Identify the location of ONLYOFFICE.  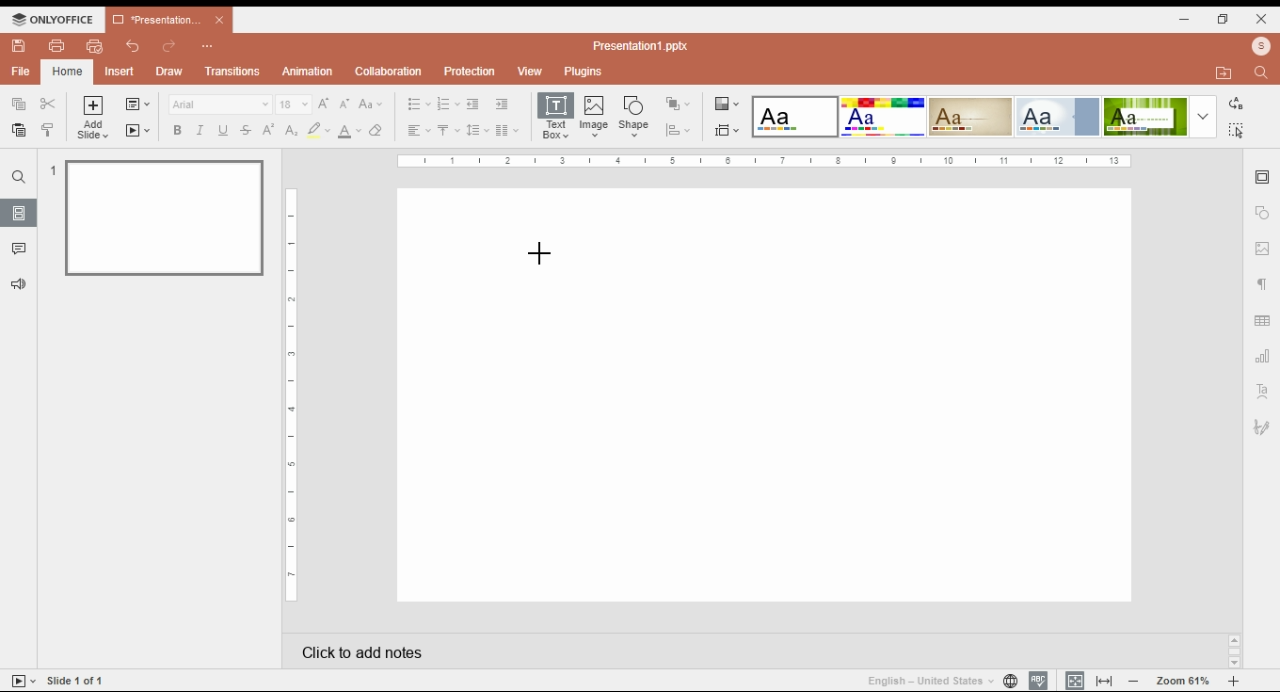
(54, 19).